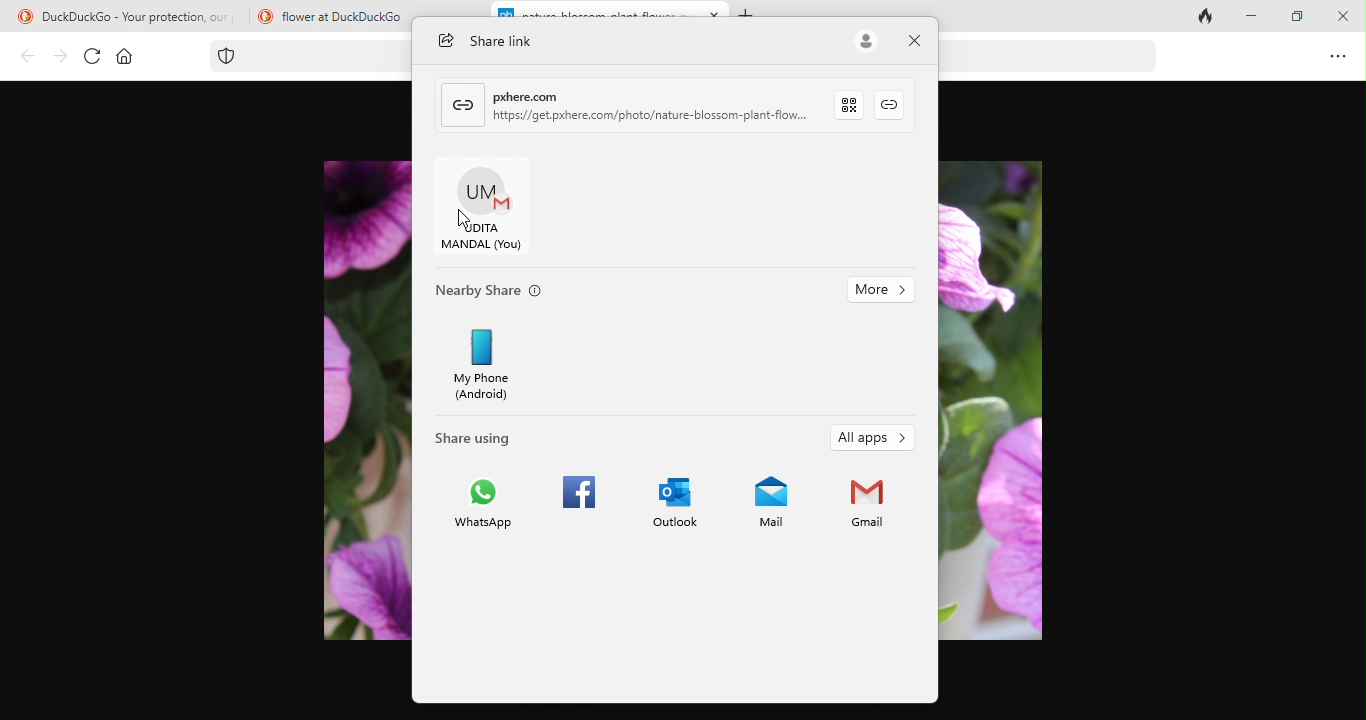  Describe the element at coordinates (1338, 15) in the screenshot. I see `close` at that location.